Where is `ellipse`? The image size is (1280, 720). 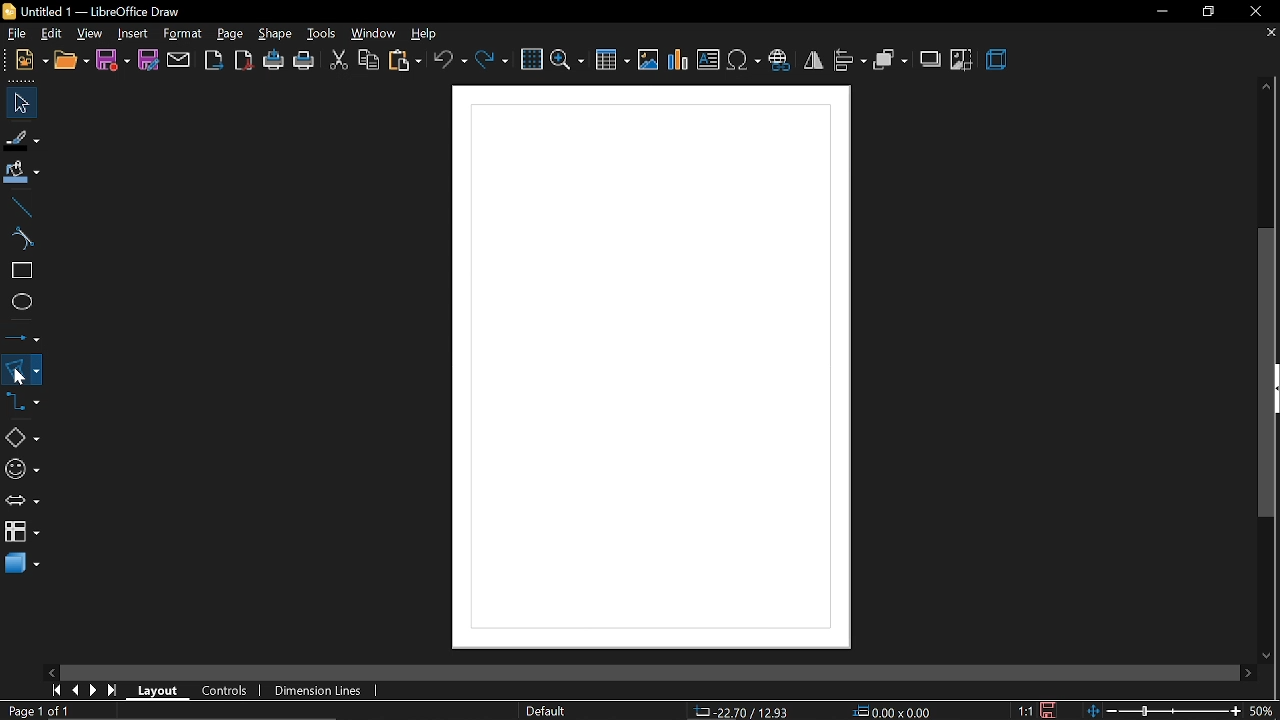
ellipse is located at coordinates (18, 304).